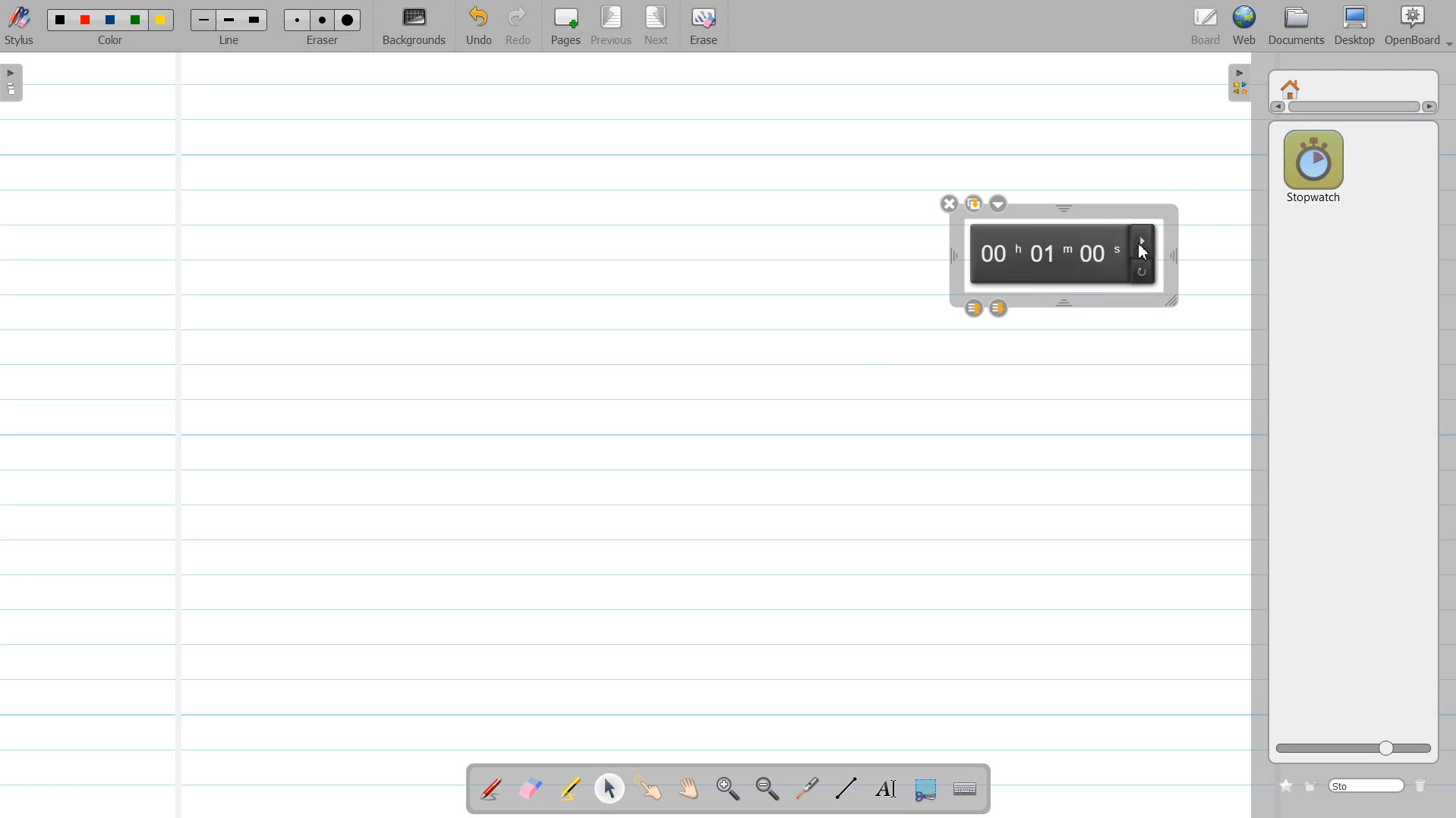 Image resolution: width=1456 pixels, height=818 pixels. Describe the element at coordinates (1447, 38) in the screenshot. I see `Drop down box` at that location.